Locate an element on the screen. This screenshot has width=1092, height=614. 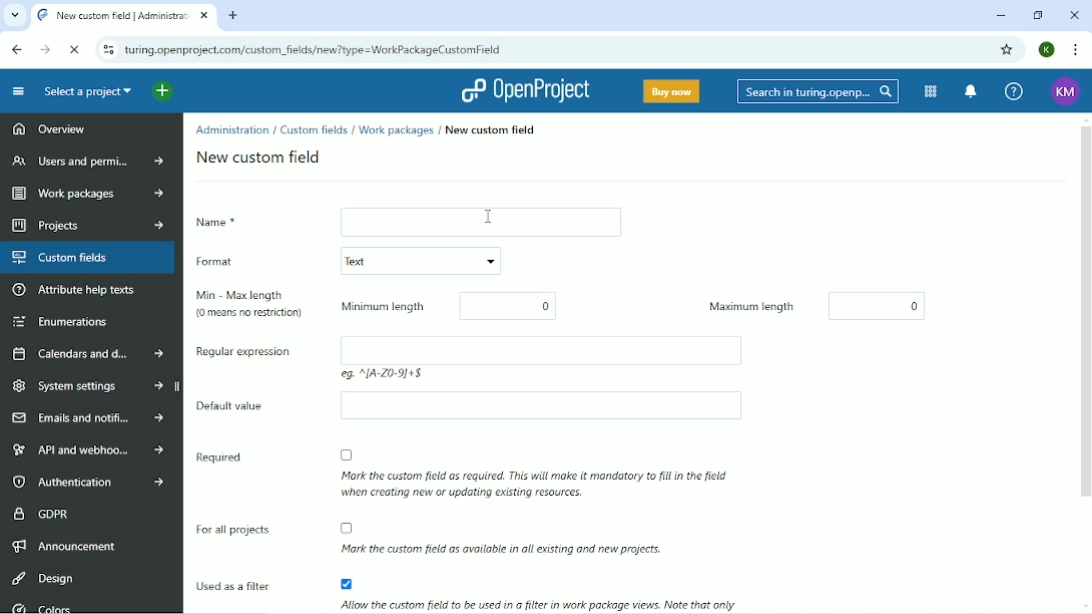
Name is located at coordinates (239, 225).